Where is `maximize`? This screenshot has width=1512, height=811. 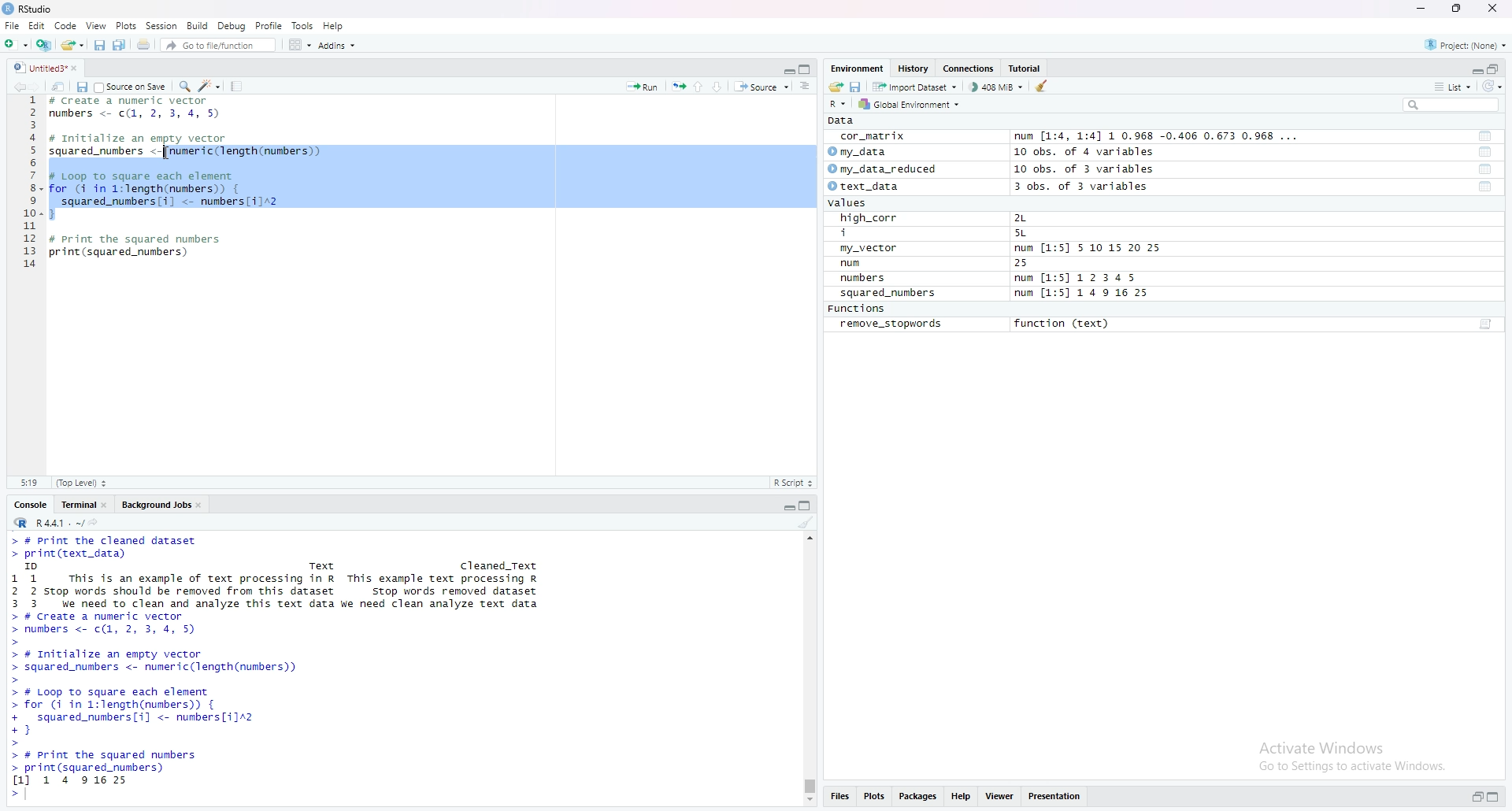 maximize is located at coordinates (1495, 68).